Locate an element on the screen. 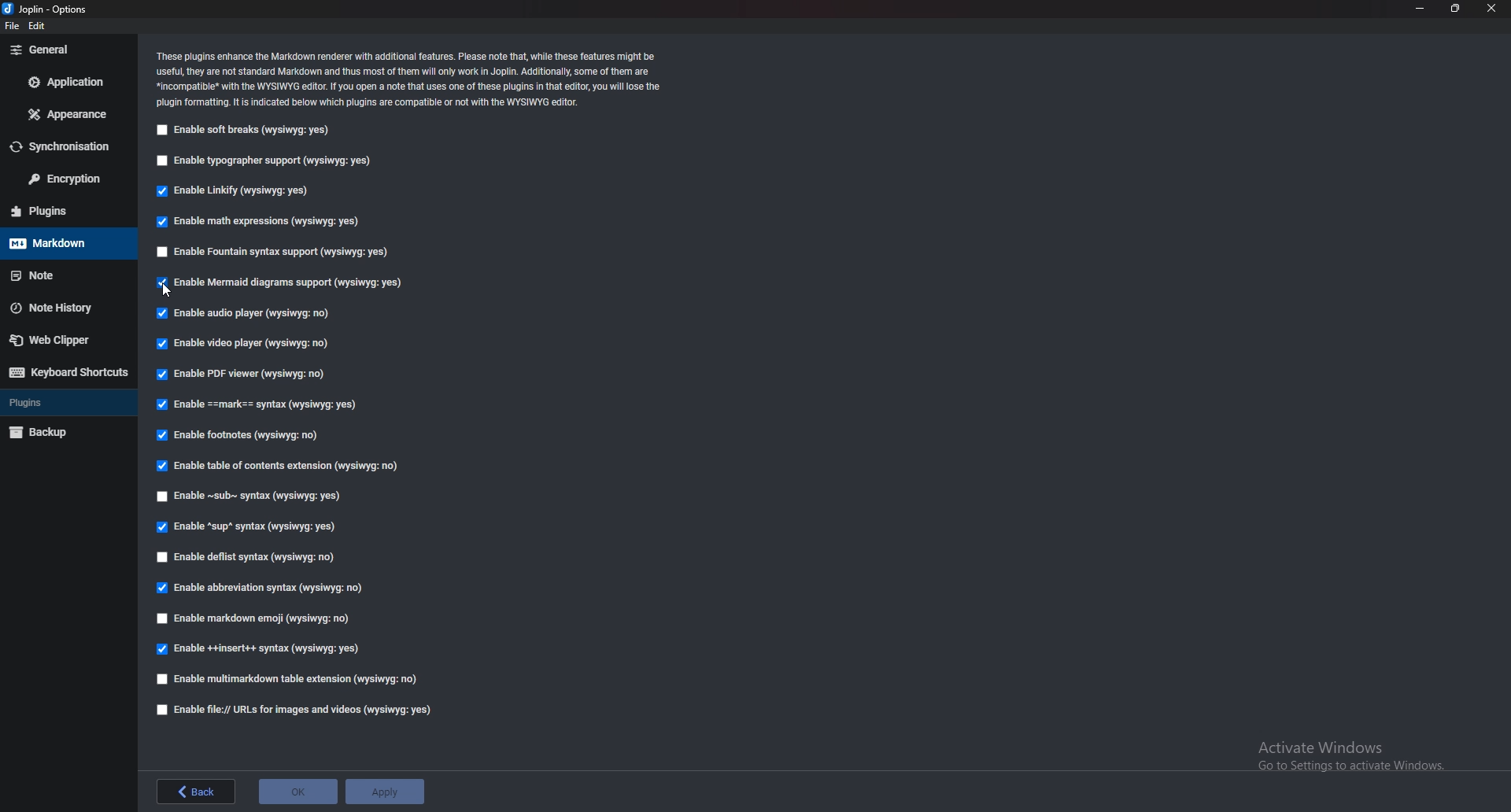  Info is located at coordinates (419, 79).